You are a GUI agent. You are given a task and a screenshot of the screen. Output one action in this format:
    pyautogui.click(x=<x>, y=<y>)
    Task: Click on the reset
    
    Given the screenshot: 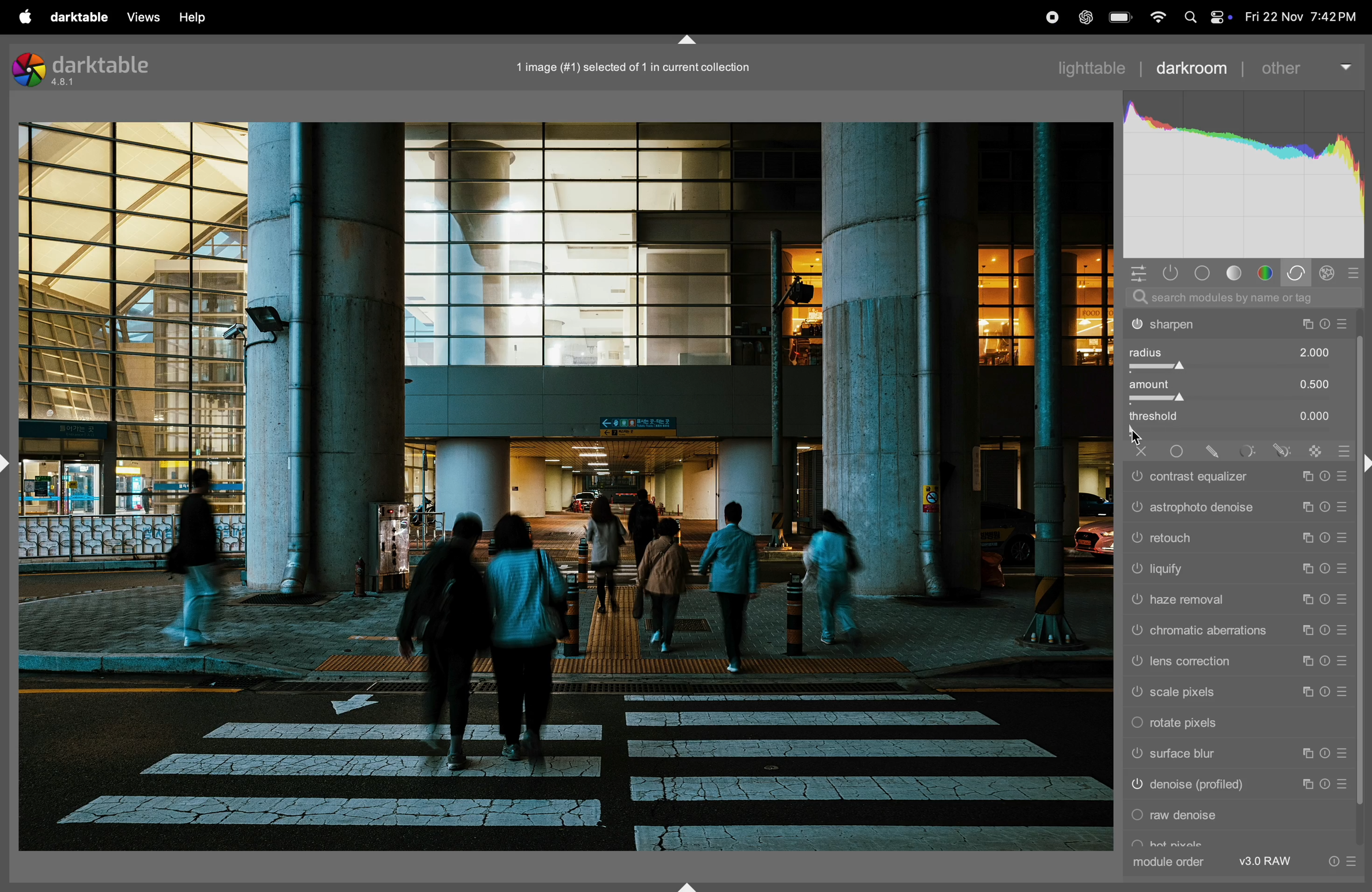 What is the action you would take?
    pyautogui.click(x=1355, y=273)
    